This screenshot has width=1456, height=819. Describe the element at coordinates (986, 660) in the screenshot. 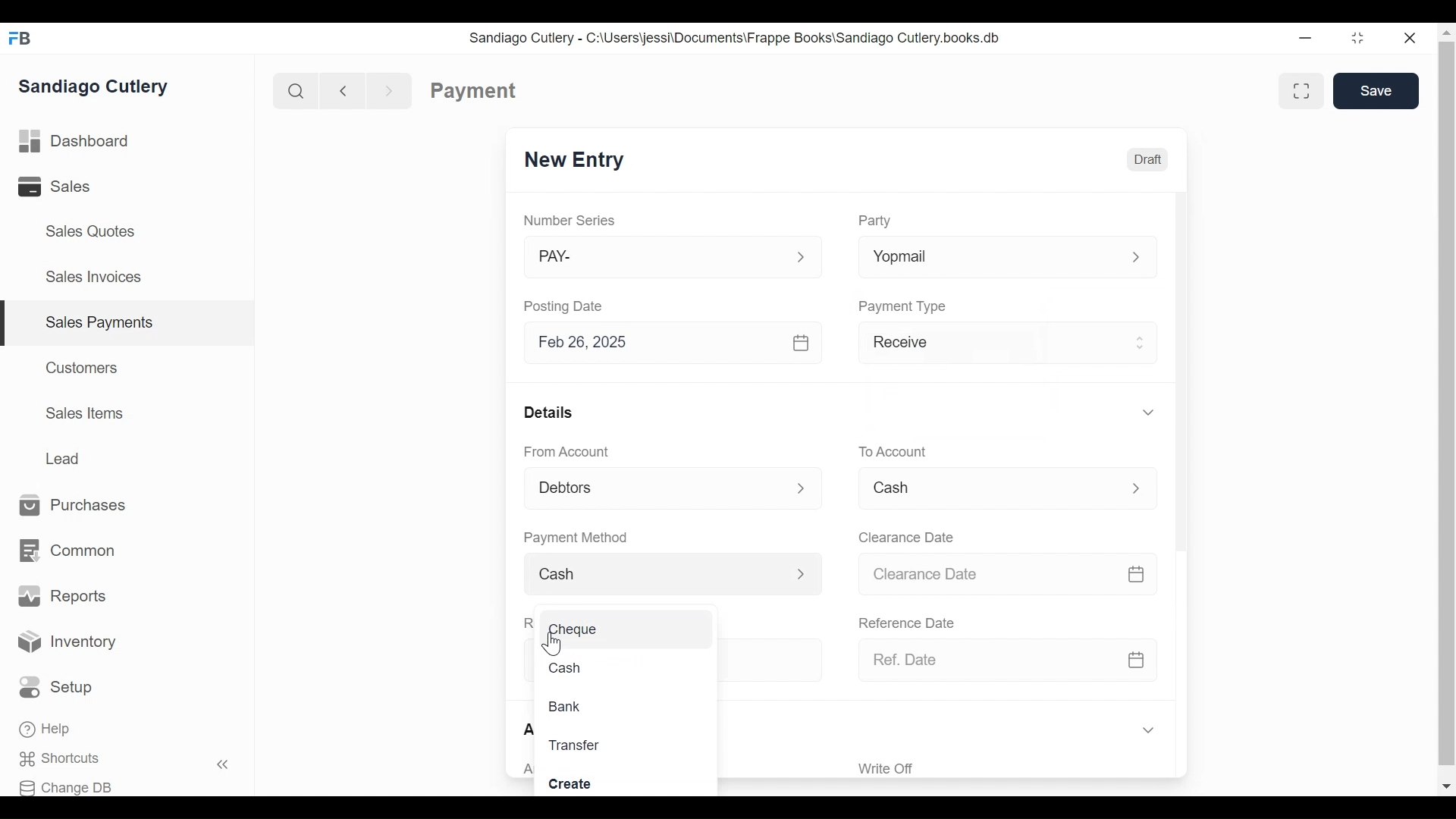

I see `Ref. Date` at that location.